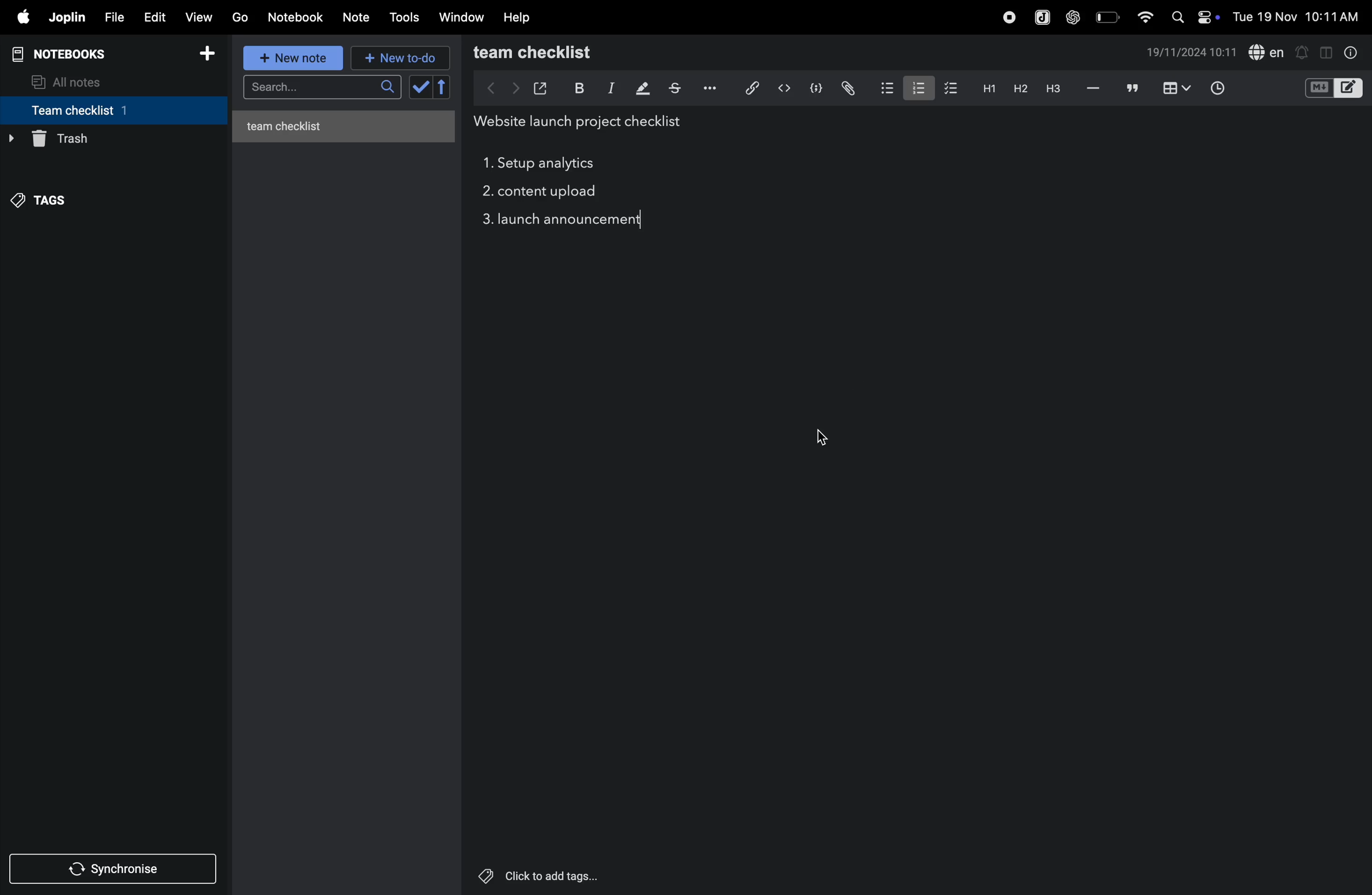 The height and width of the screenshot is (895, 1372). What do you see at coordinates (109, 139) in the screenshot?
I see `trash` at bounding box center [109, 139].